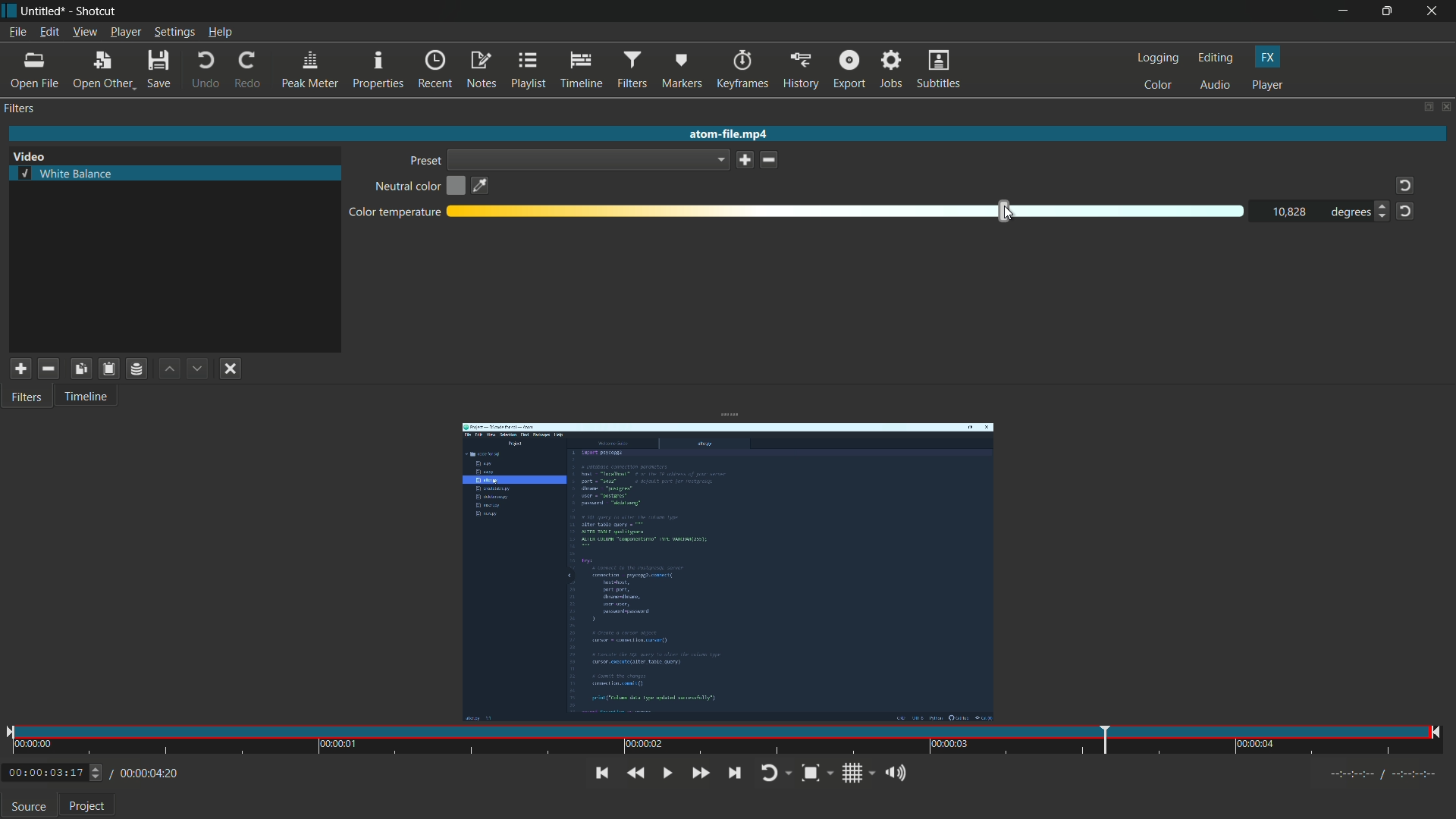  What do you see at coordinates (1009, 212) in the screenshot?
I see `cursor` at bounding box center [1009, 212].